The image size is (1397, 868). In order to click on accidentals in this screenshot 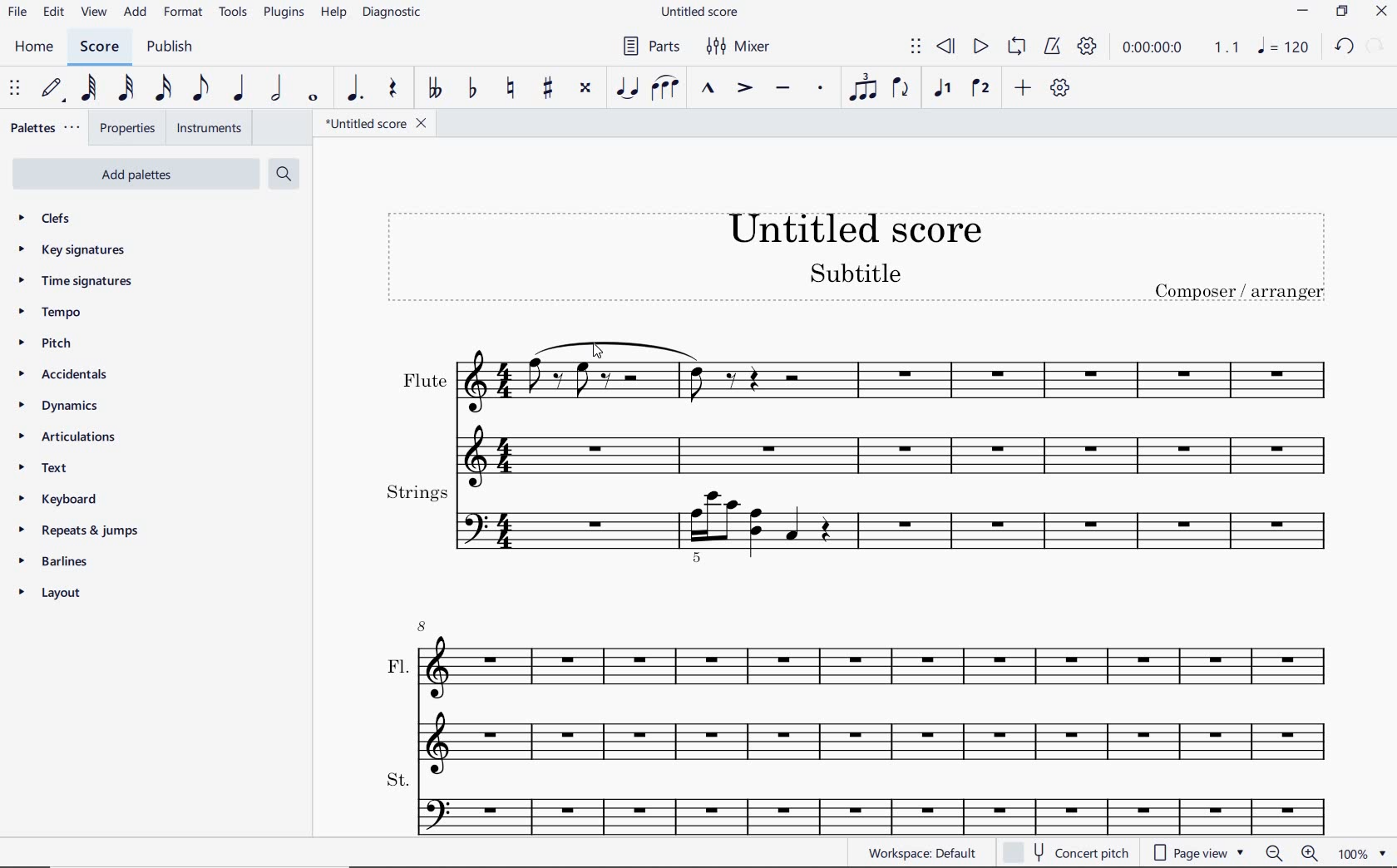, I will do `click(62, 376)`.